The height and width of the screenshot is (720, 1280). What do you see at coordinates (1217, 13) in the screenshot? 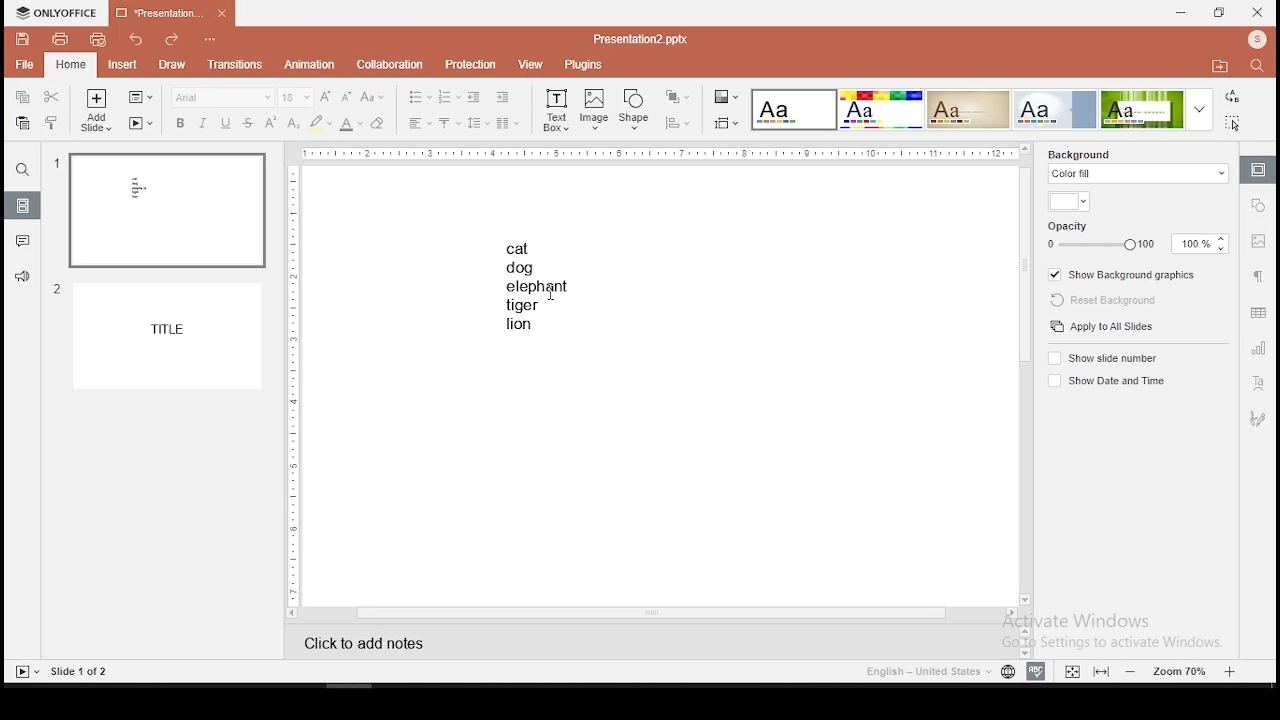
I see `restore` at bounding box center [1217, 13].